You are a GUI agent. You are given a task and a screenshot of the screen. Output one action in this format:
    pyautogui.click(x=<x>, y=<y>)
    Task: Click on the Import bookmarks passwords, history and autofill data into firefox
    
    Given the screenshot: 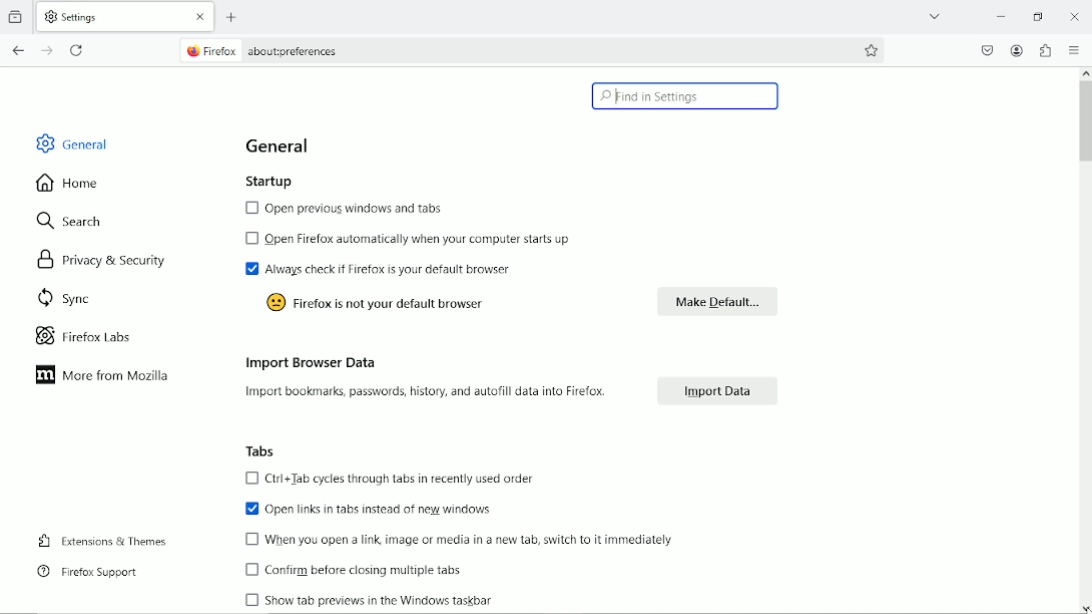 What is the action you would take?
    pyautogui.click(x=423, y=393)
    